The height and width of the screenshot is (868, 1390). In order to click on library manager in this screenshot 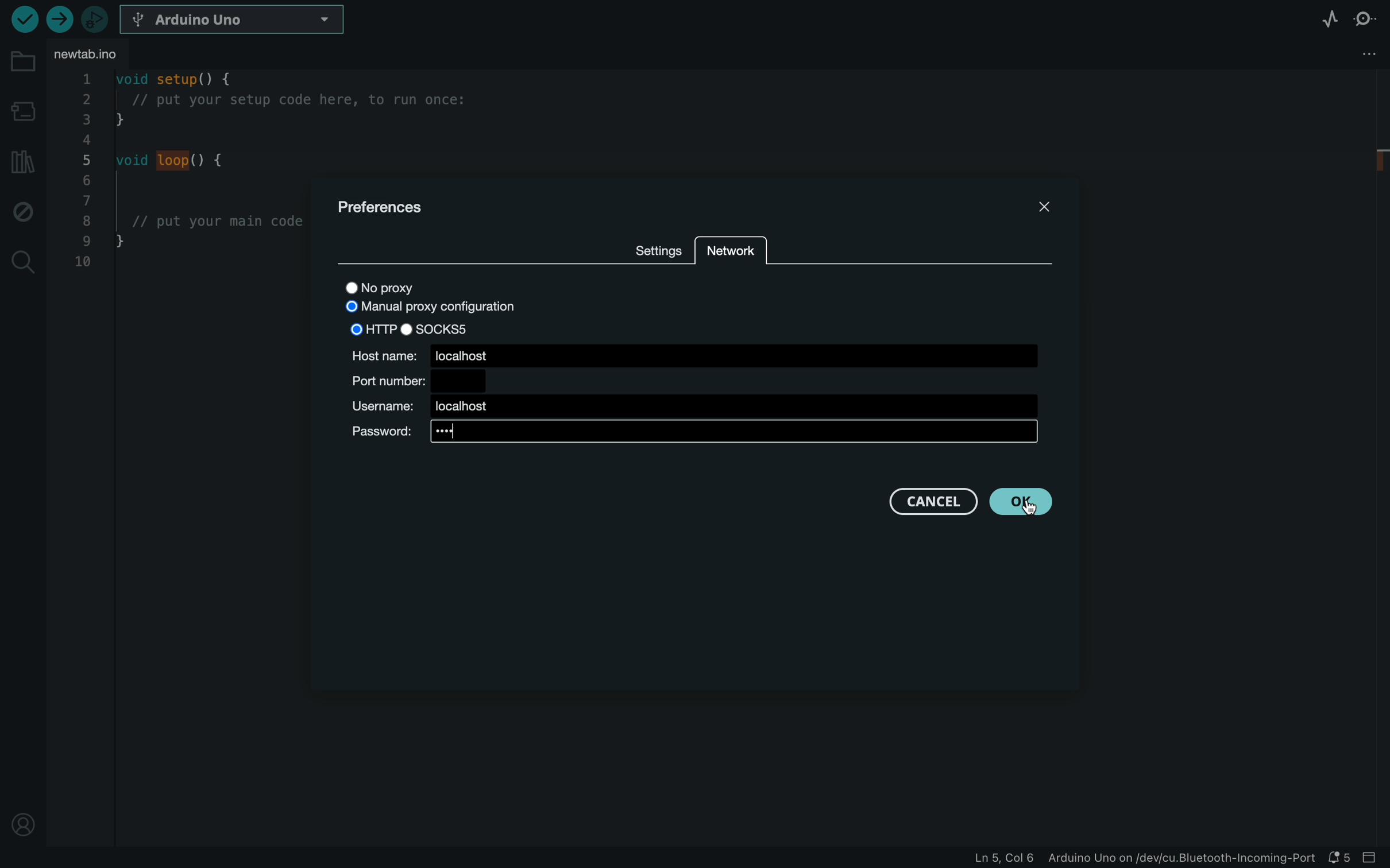, I will do `click(22, 163)`.